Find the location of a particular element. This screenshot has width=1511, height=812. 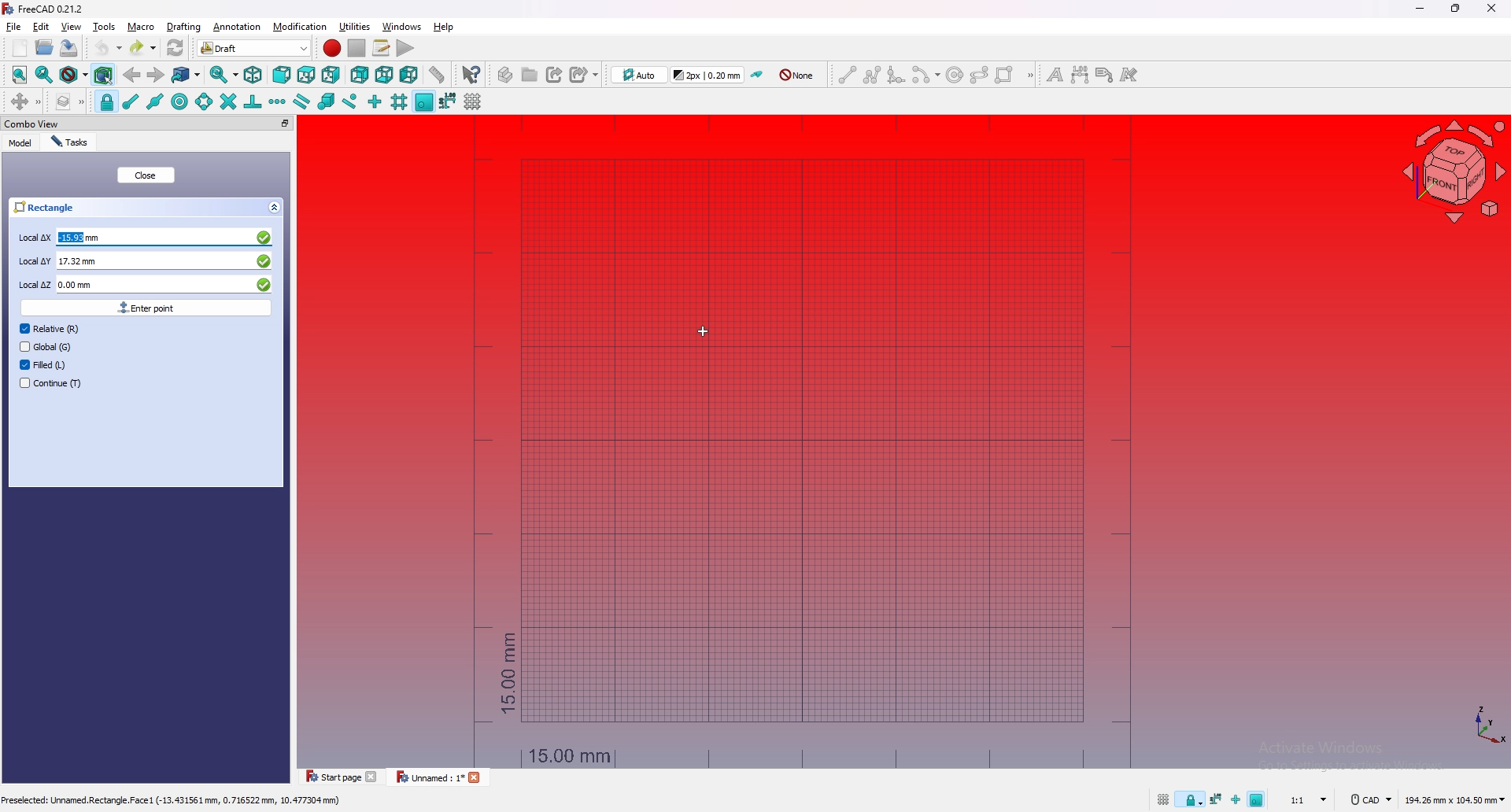

snap midpoint is located at coordinates (155, 101).